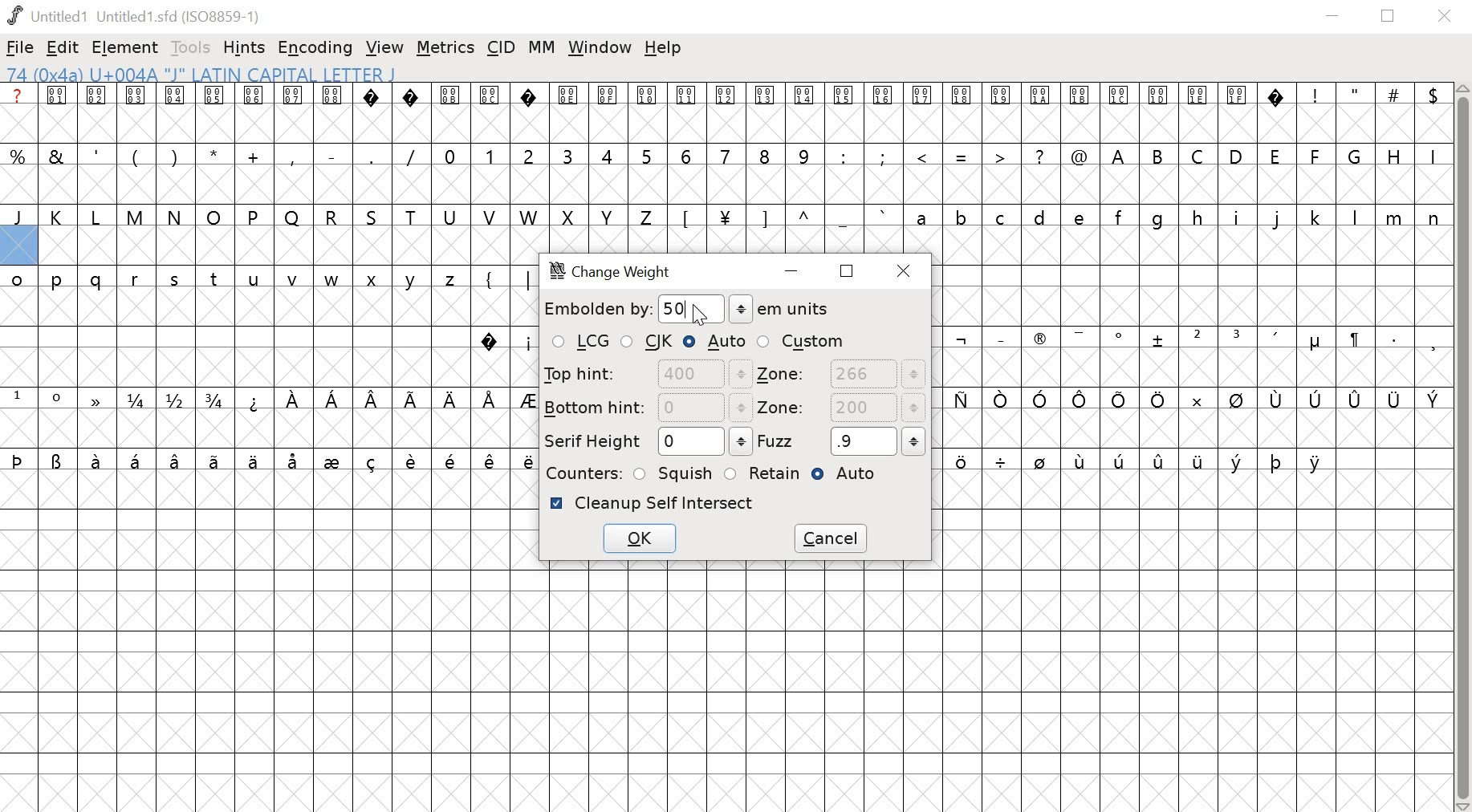  Describe the element at coordinates (1389, 16) in the screenshot. I see `restore down` at that location.